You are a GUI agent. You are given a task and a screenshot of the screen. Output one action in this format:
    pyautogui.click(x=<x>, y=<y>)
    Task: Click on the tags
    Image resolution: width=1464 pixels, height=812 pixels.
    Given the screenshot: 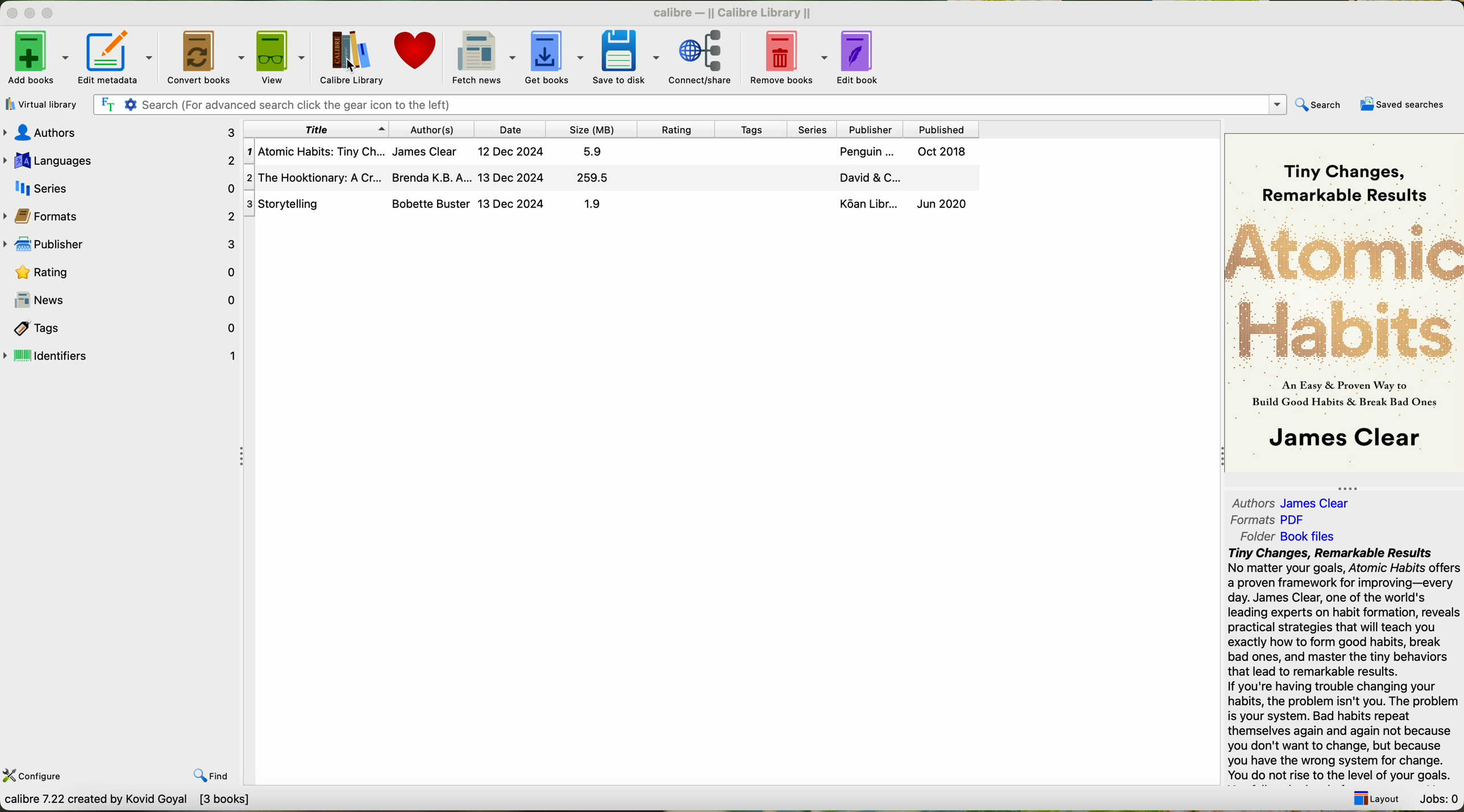 What is the action you would take?
    pyautogui.click(x=756, y=130)
    